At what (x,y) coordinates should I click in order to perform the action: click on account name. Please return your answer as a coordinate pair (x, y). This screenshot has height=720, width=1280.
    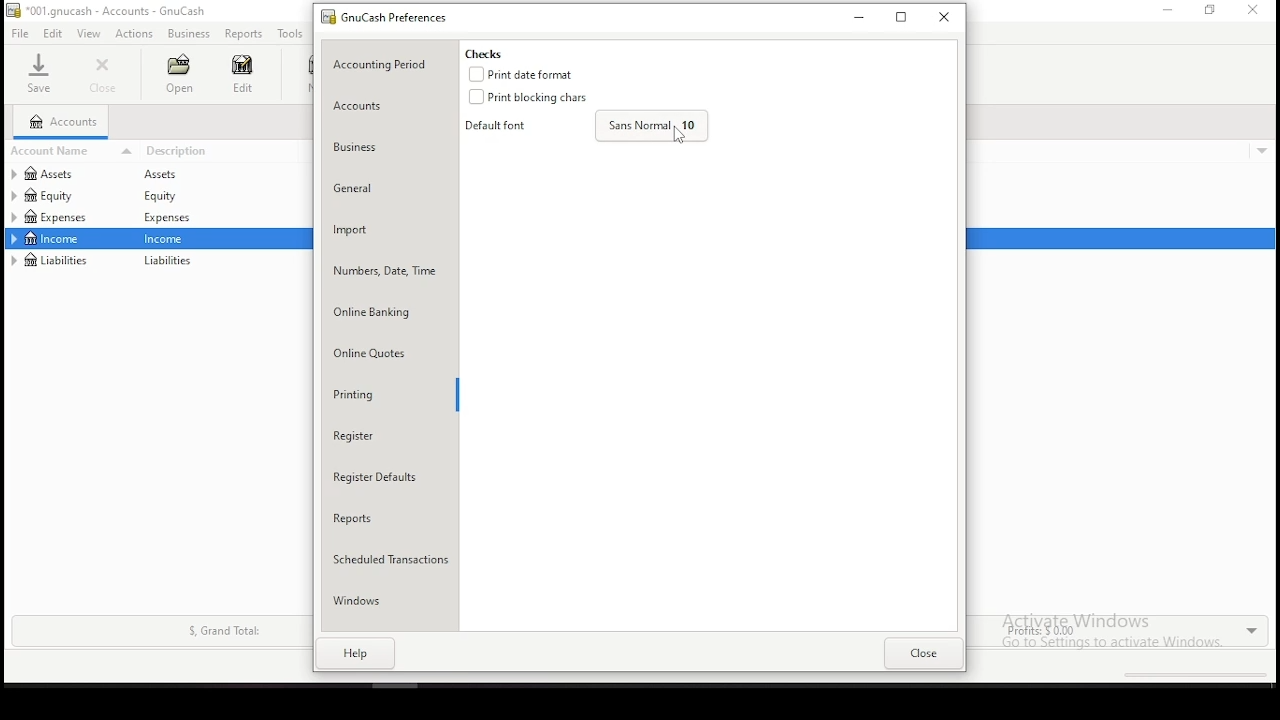
    Looking at the image, I should click on (74, 150).